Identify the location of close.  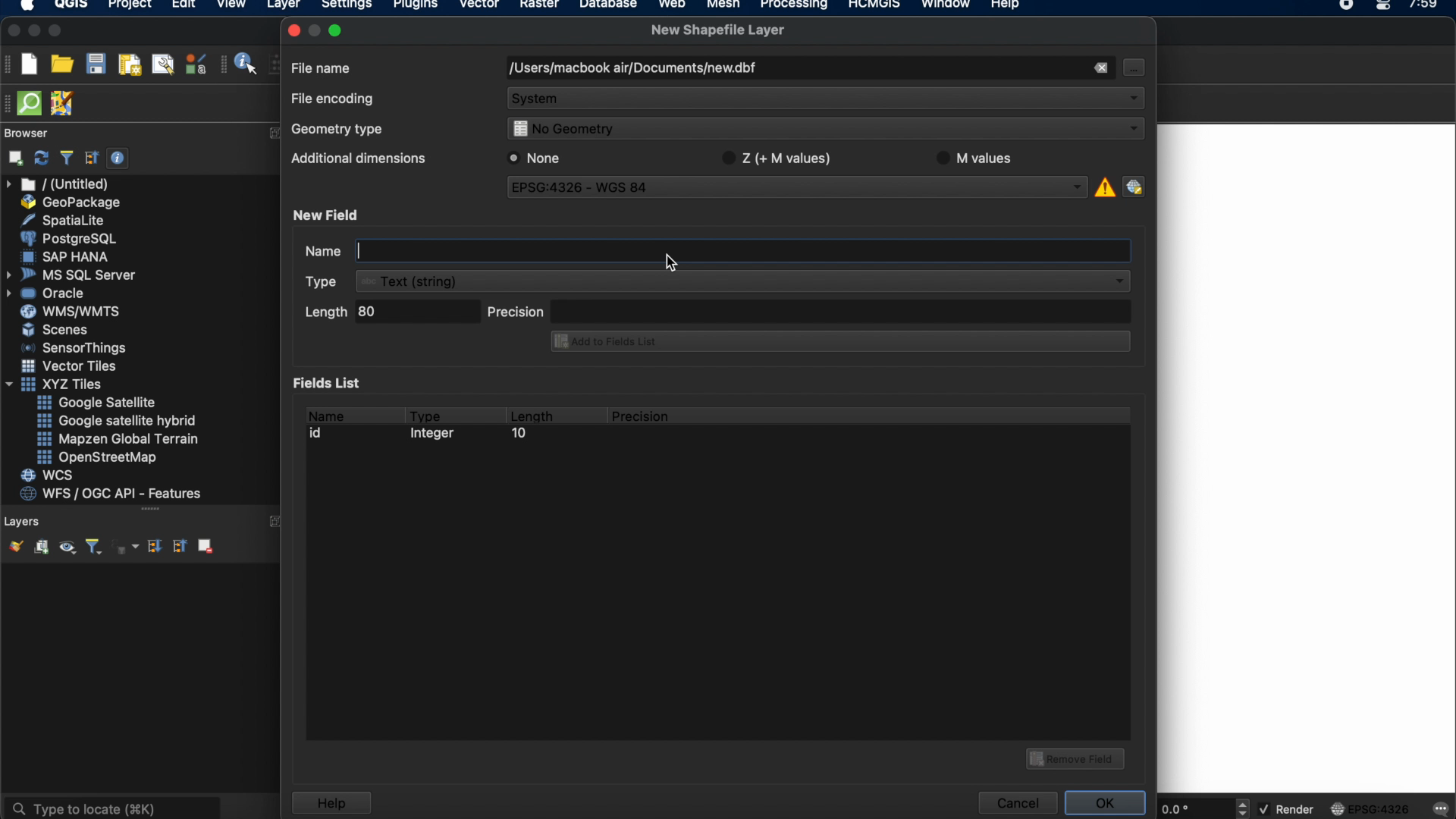
(12, 31).